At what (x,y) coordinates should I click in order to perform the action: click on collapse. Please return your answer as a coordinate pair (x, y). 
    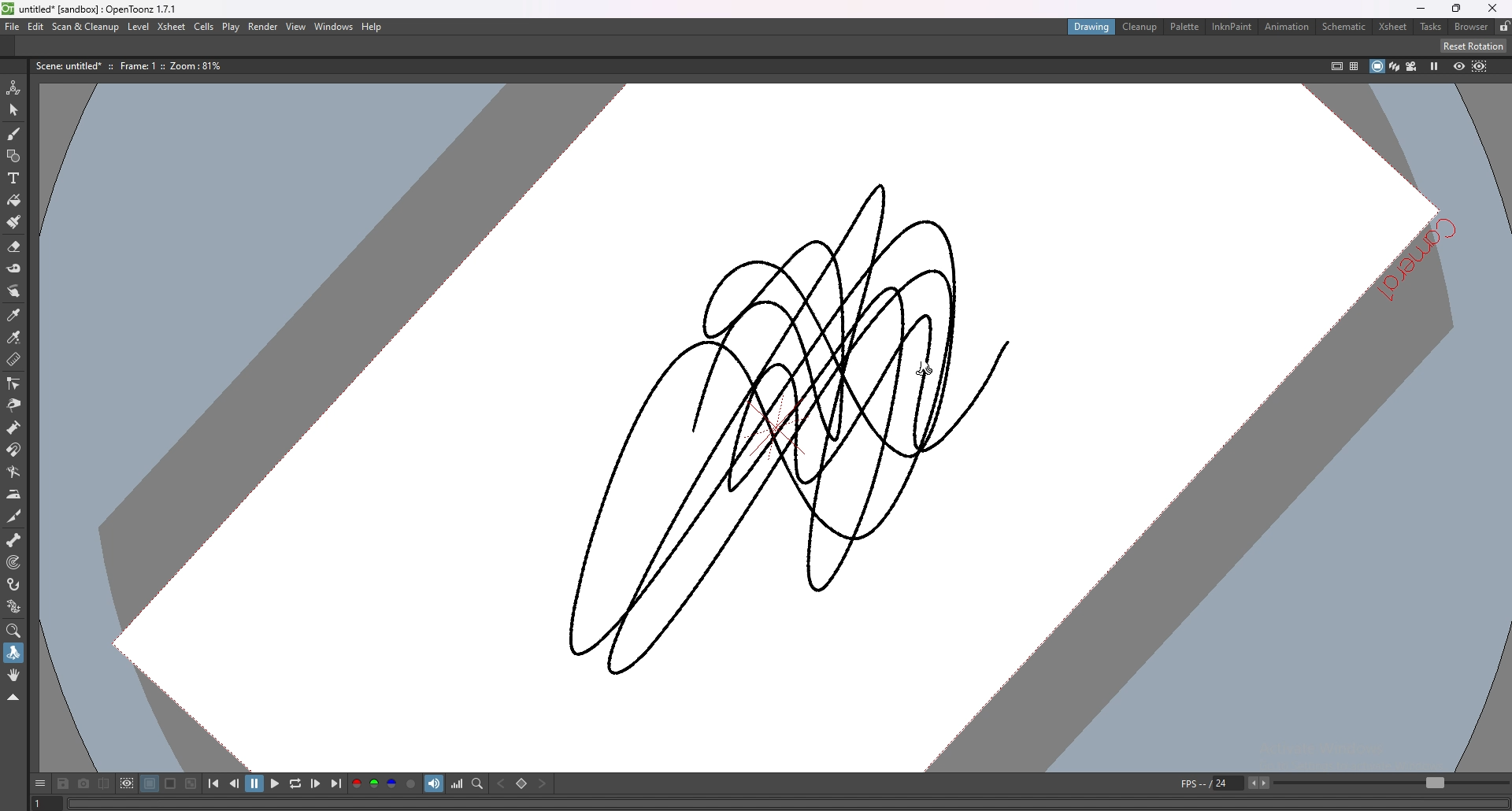
    Looking at the image, I should click on (13, 698).